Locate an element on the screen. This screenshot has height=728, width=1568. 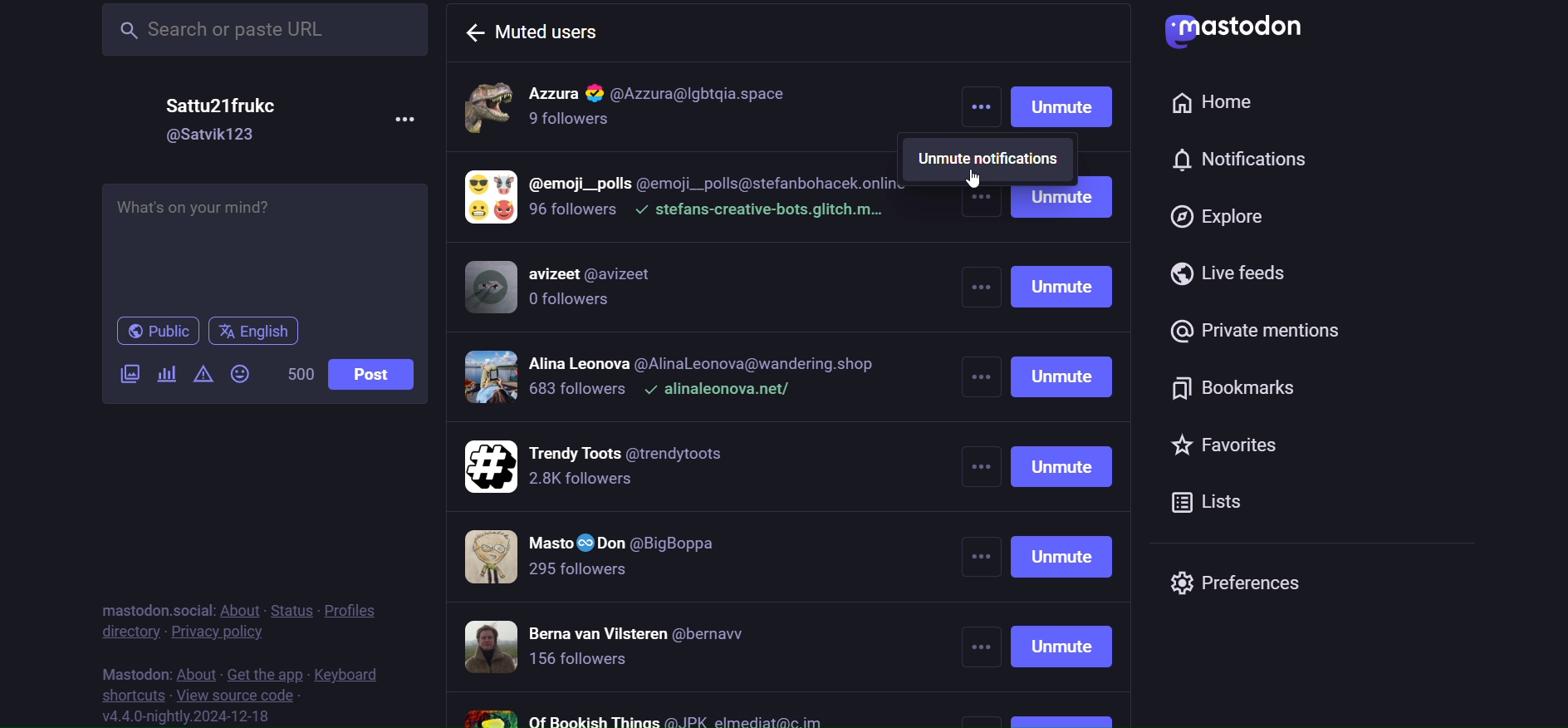
unmute is located at coordinates (1063, 455).